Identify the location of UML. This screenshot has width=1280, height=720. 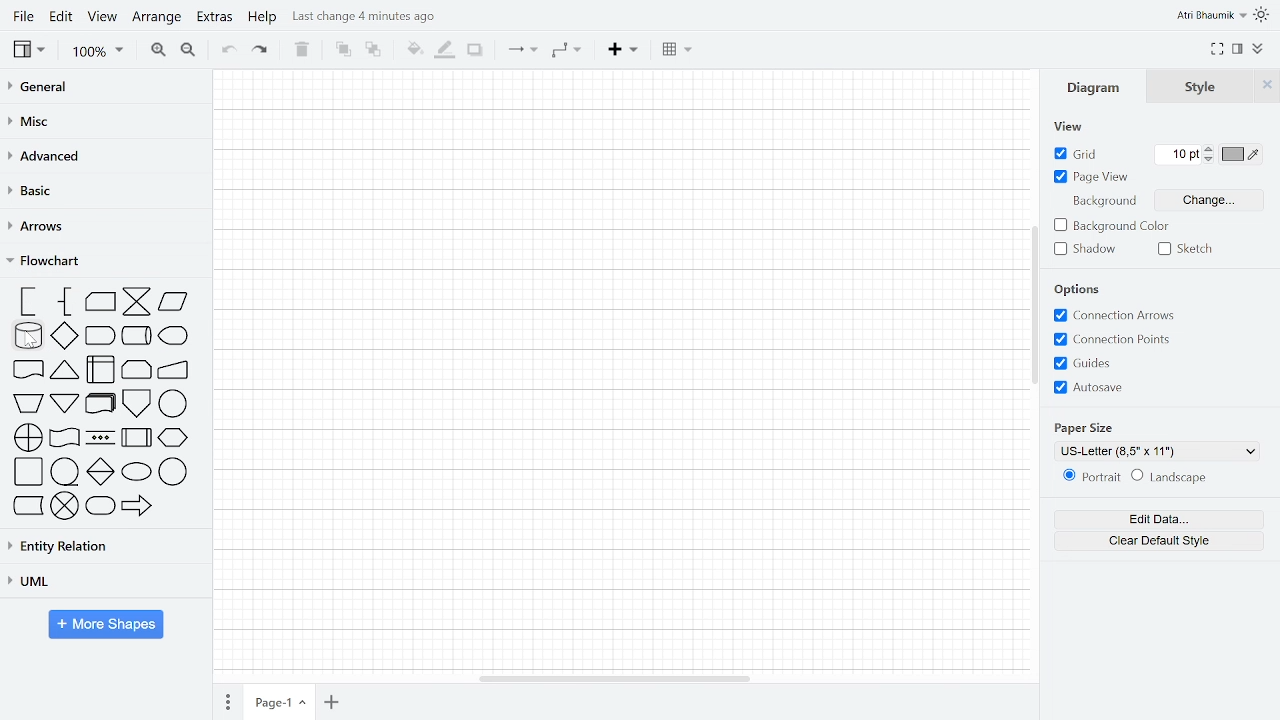
(98, 581).